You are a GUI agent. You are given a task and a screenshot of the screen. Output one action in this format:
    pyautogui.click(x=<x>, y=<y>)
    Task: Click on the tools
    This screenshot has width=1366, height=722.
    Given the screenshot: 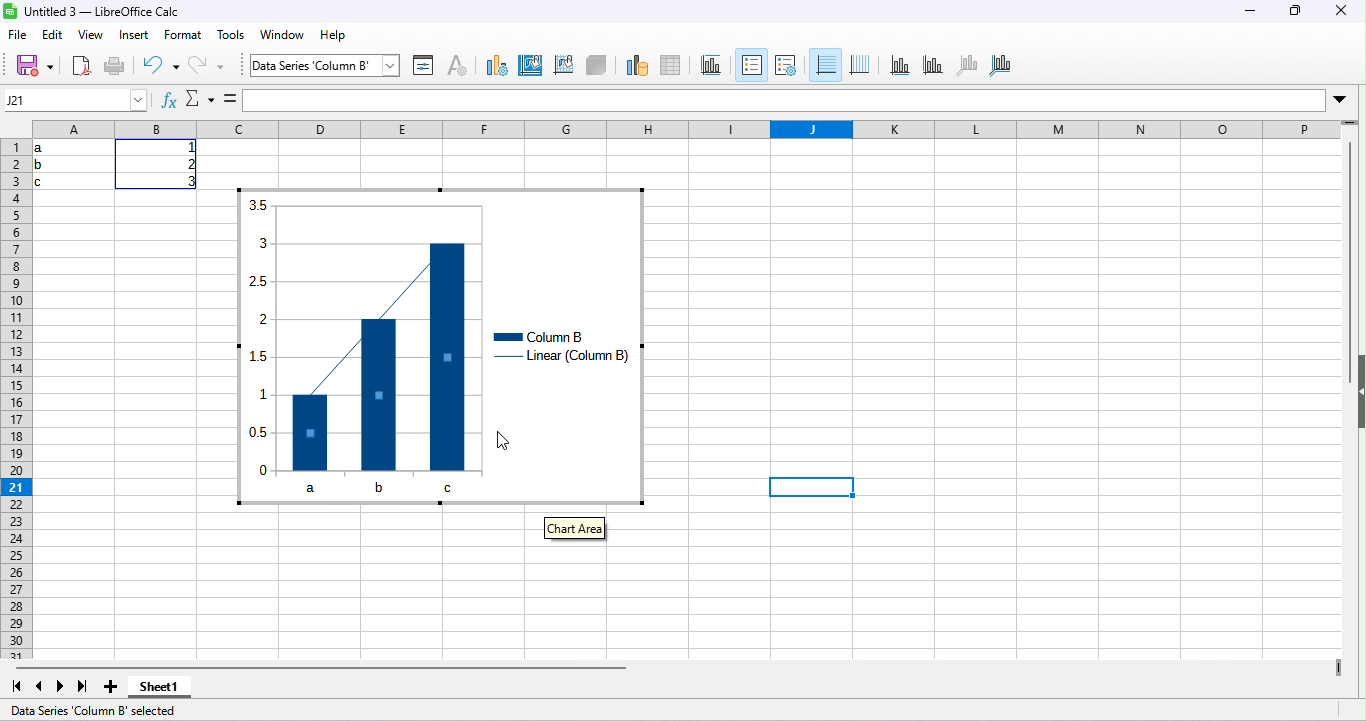 What is the action you would take?
    pyautogui.click(x=234, y=38)
    